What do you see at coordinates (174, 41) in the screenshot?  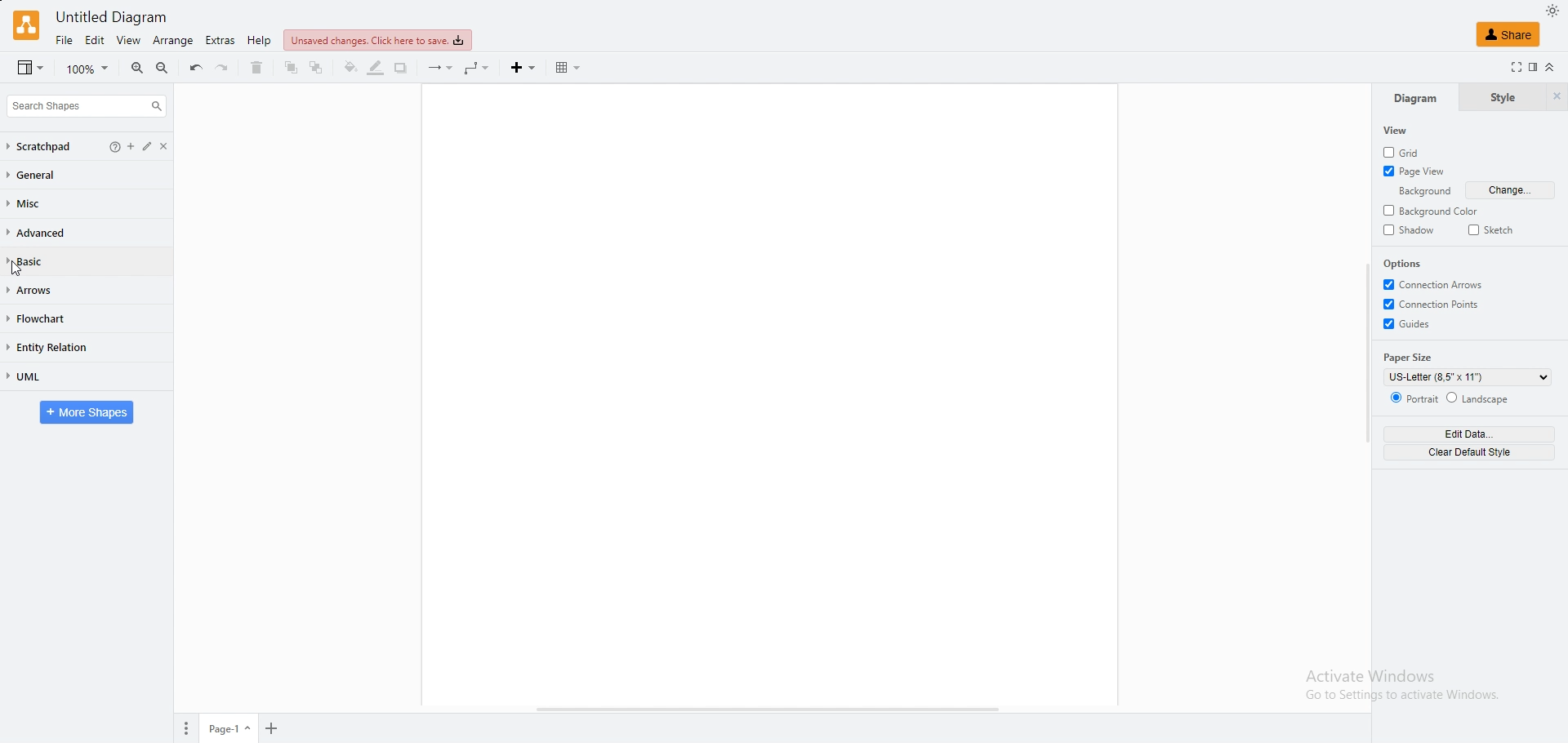 I see `arrange` at bounding box center [174, 41].